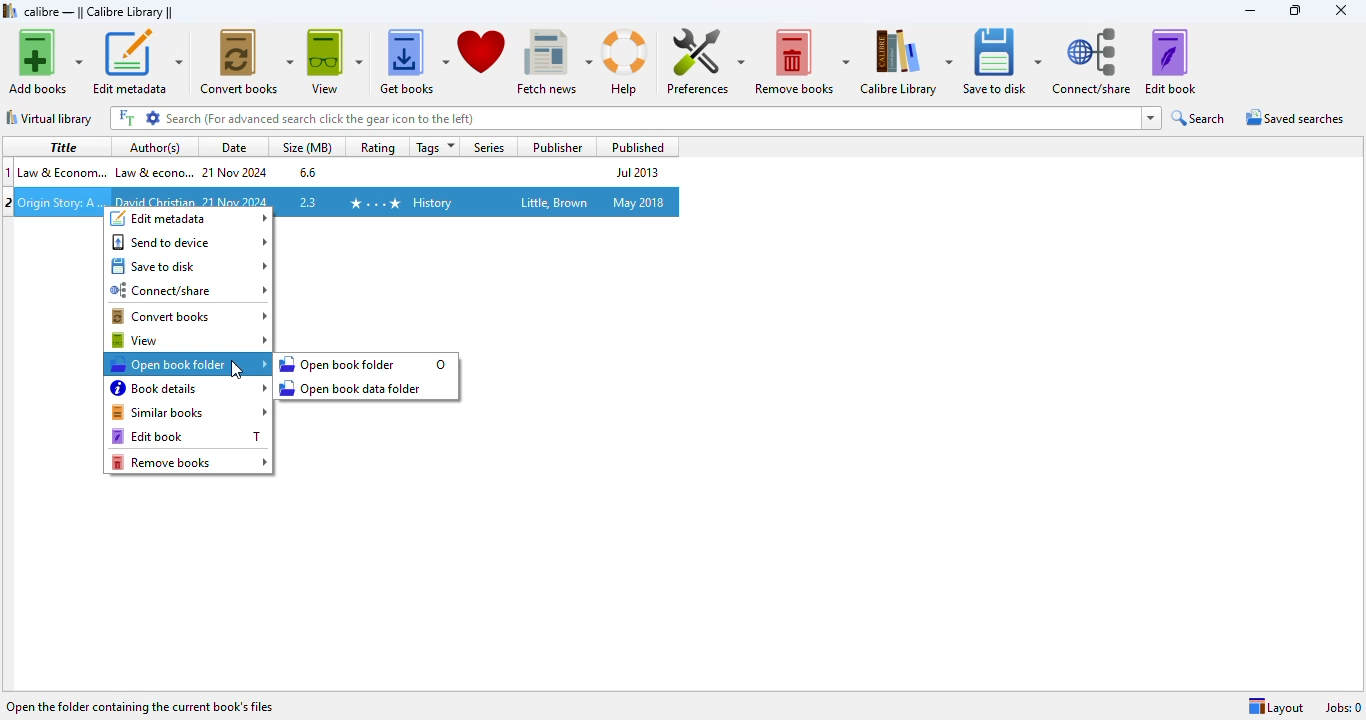  I want to click on may 2018, so click(638, 202).